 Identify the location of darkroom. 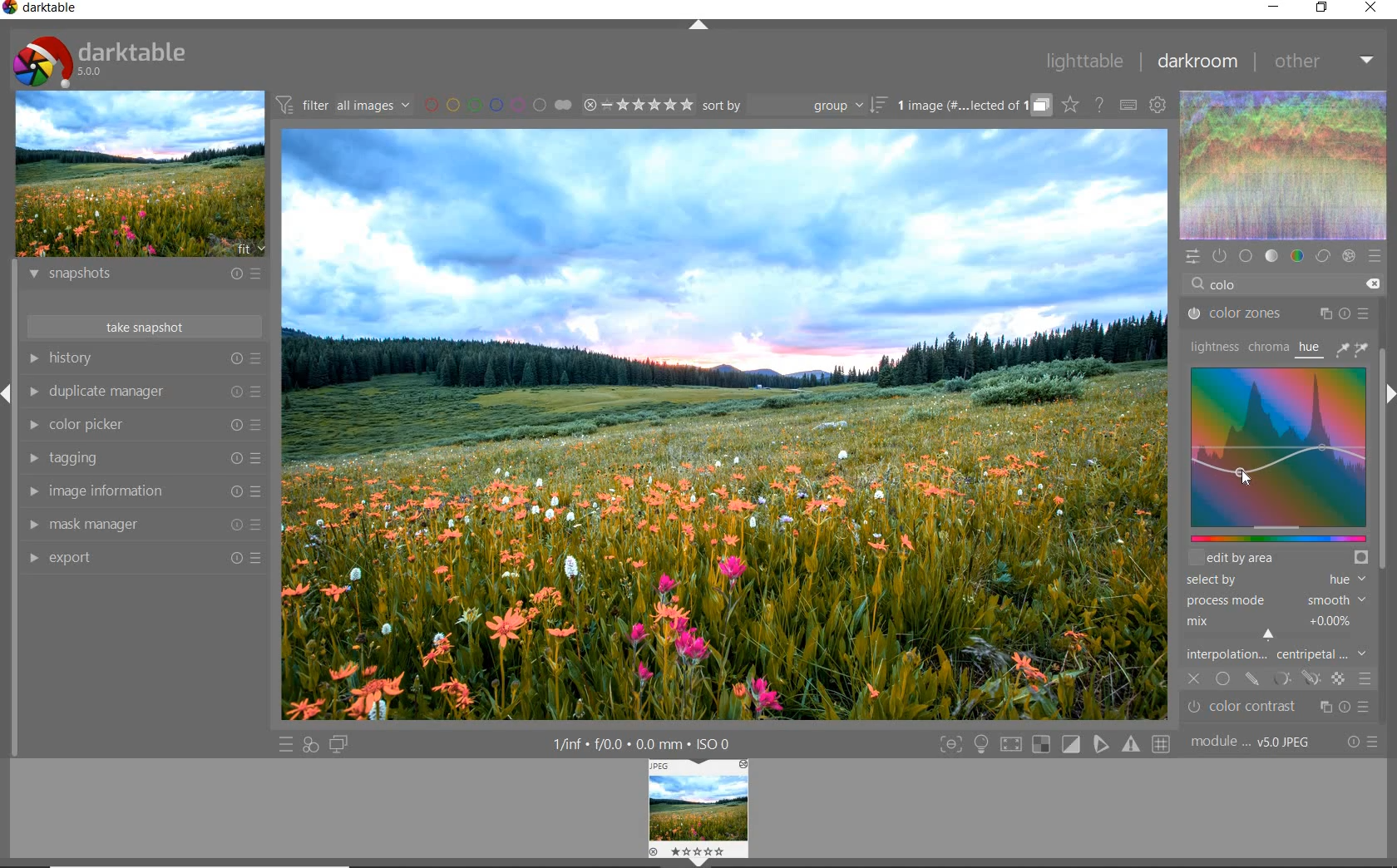
(1199, 62).